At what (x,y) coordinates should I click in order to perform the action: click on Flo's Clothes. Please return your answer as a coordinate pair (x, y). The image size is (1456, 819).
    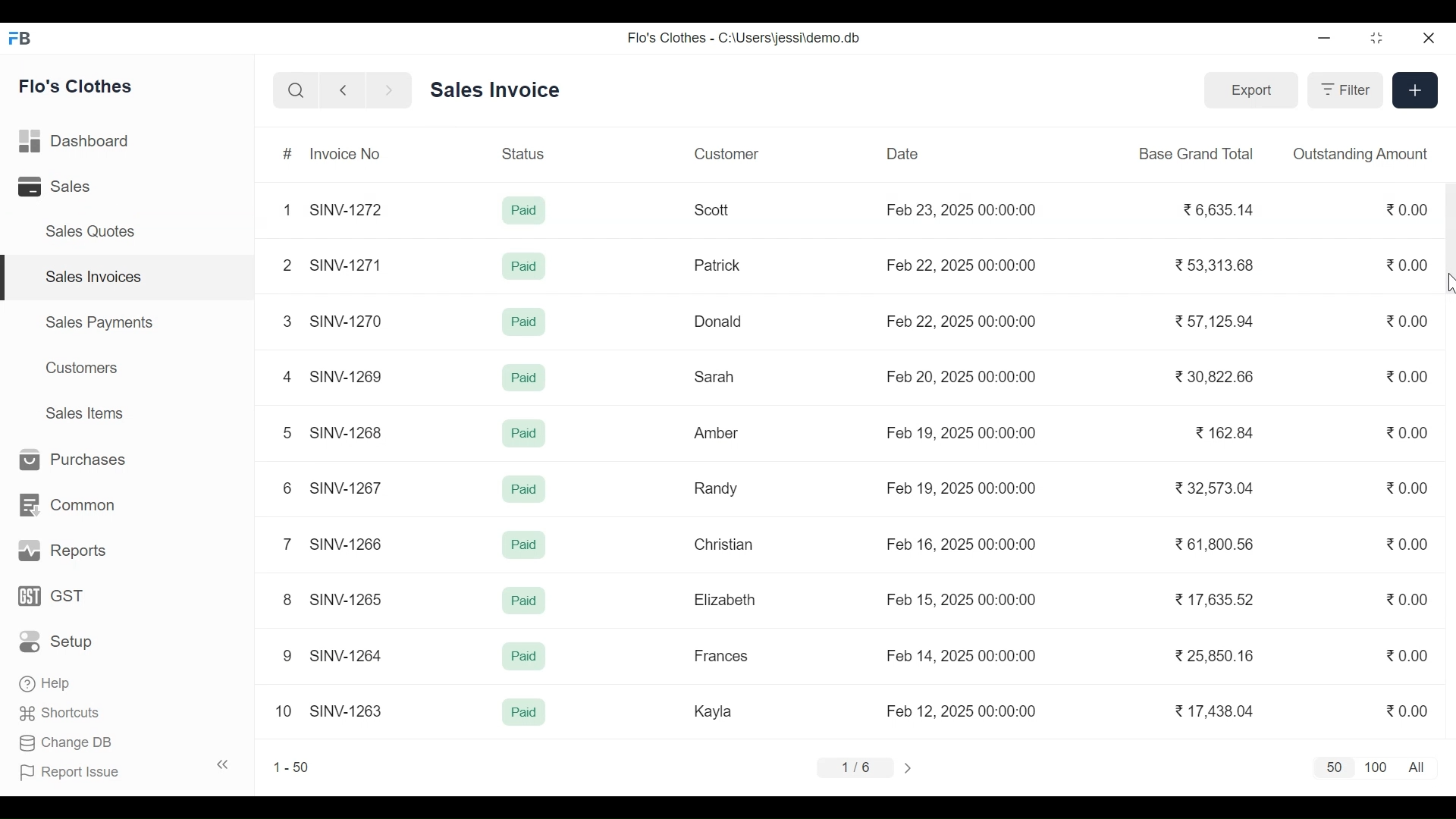
    Looking at the image, I should click on (77, 86).